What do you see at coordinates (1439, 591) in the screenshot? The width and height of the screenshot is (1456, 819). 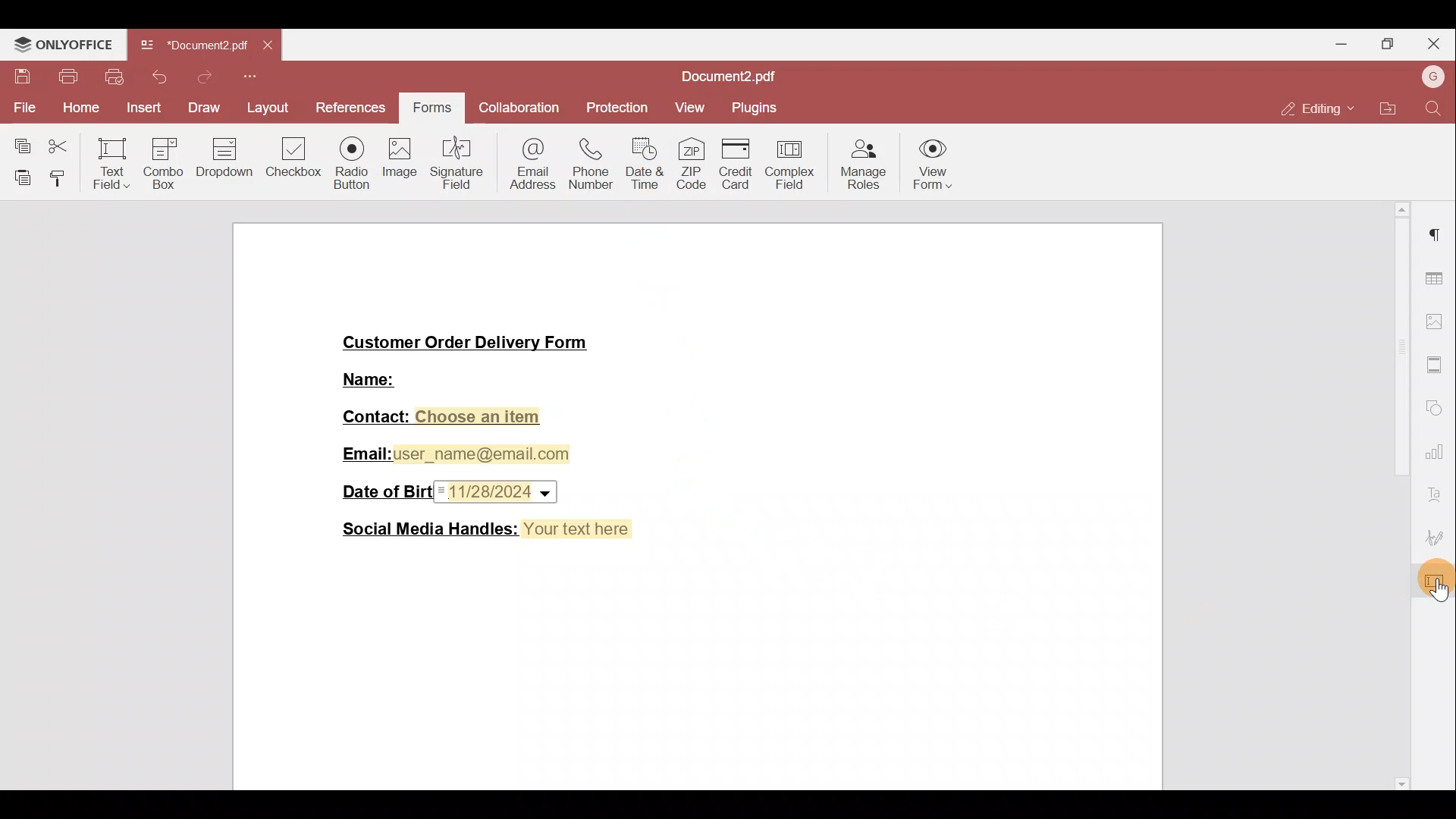 I see `cursor` at bounding box center [1439, 591].